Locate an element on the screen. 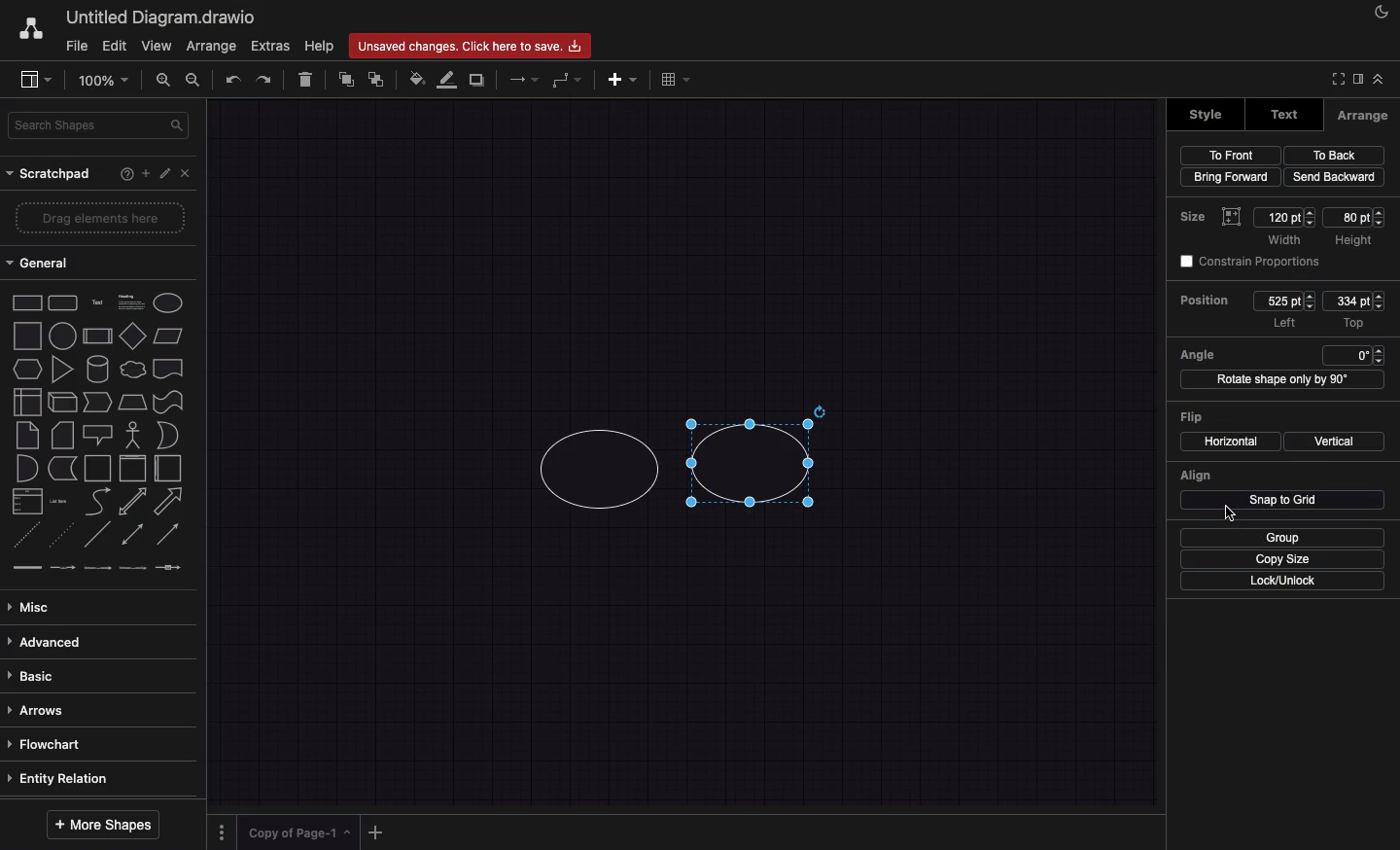  lock\unlock is located at coordinates (1282, 581).